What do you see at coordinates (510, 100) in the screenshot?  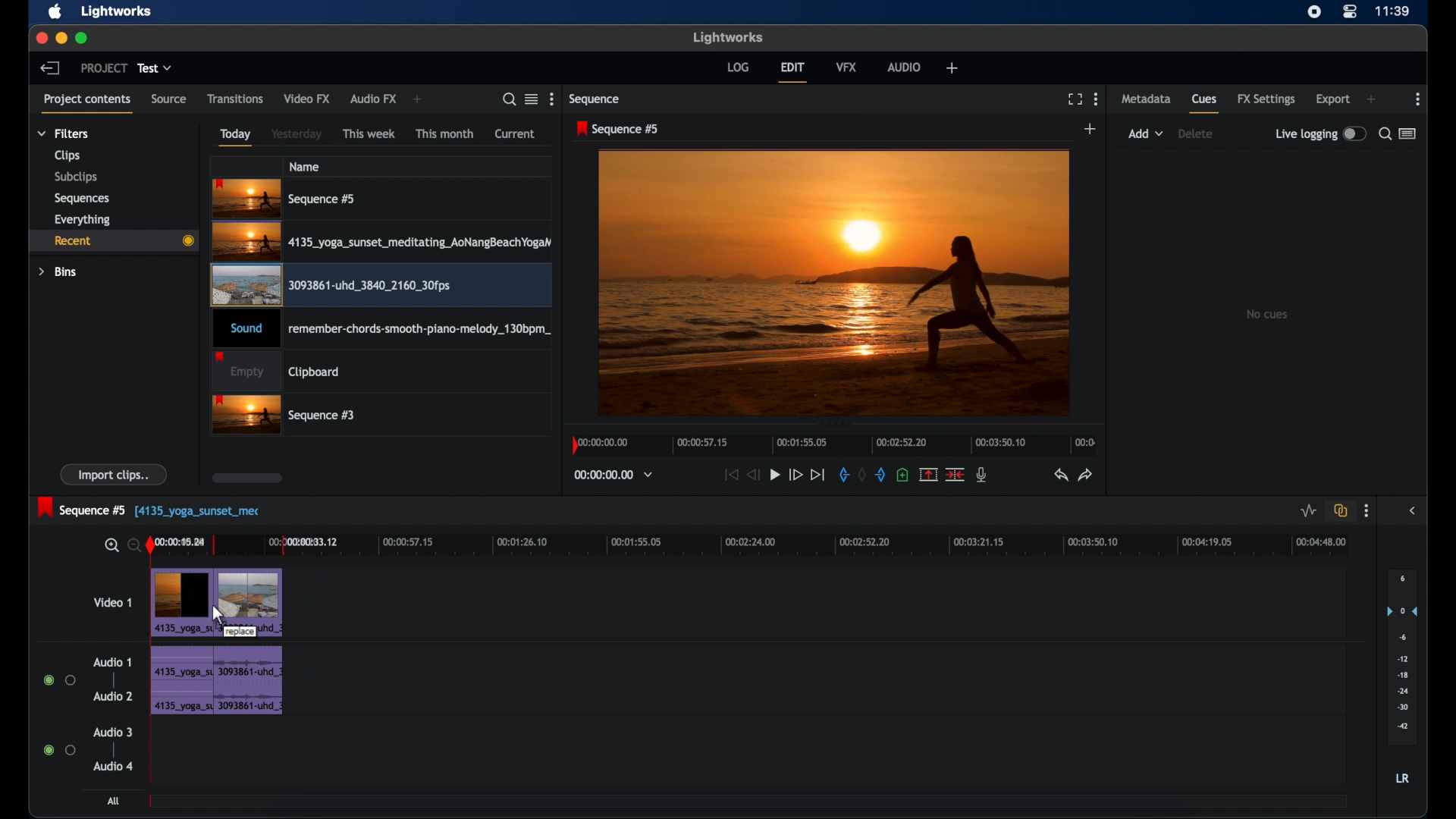 I see `search` at bounding box center [510, 100].